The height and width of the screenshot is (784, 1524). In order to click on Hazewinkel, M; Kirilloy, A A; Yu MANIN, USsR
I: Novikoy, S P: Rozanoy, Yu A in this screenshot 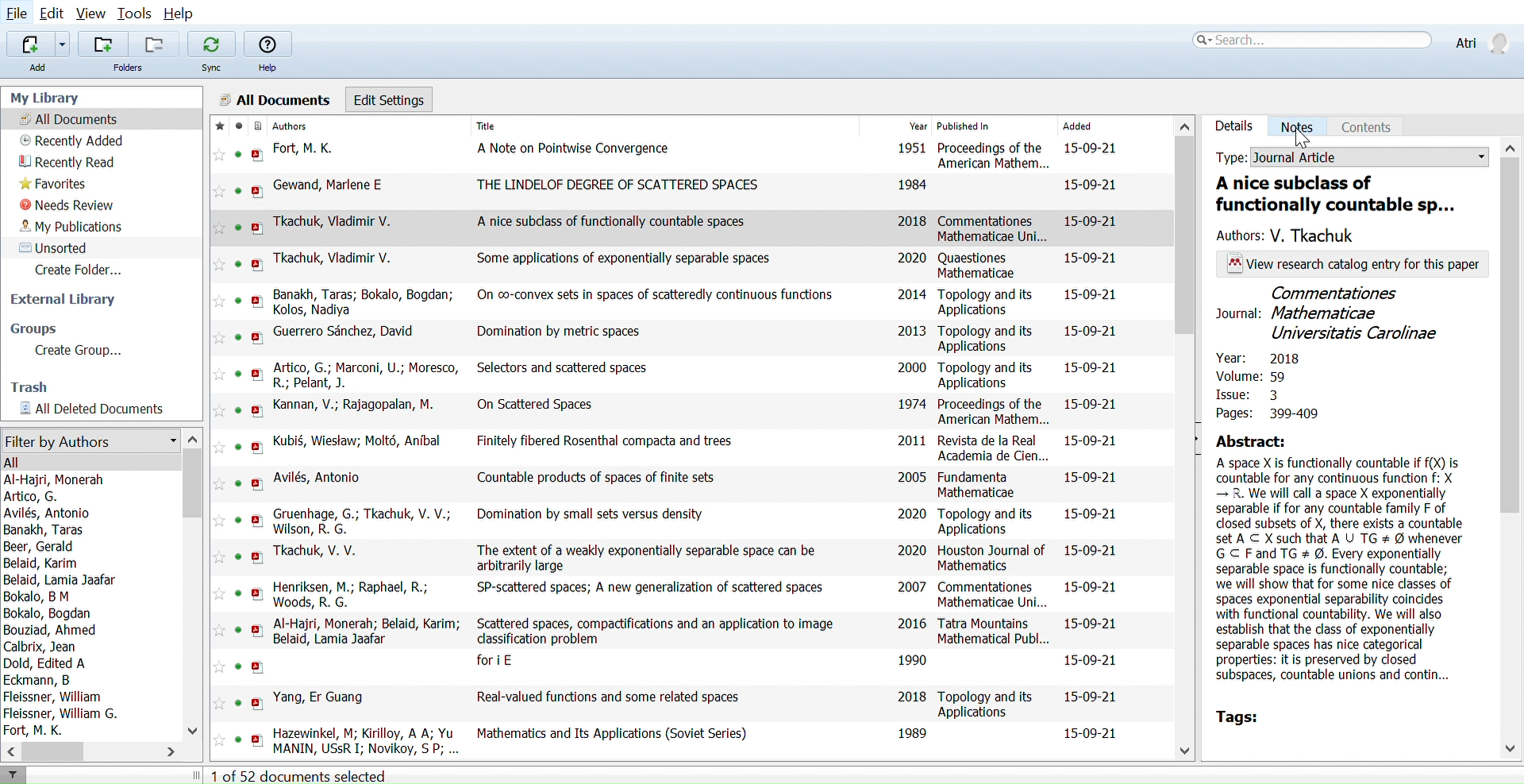, I will do `click(367, 739)`.